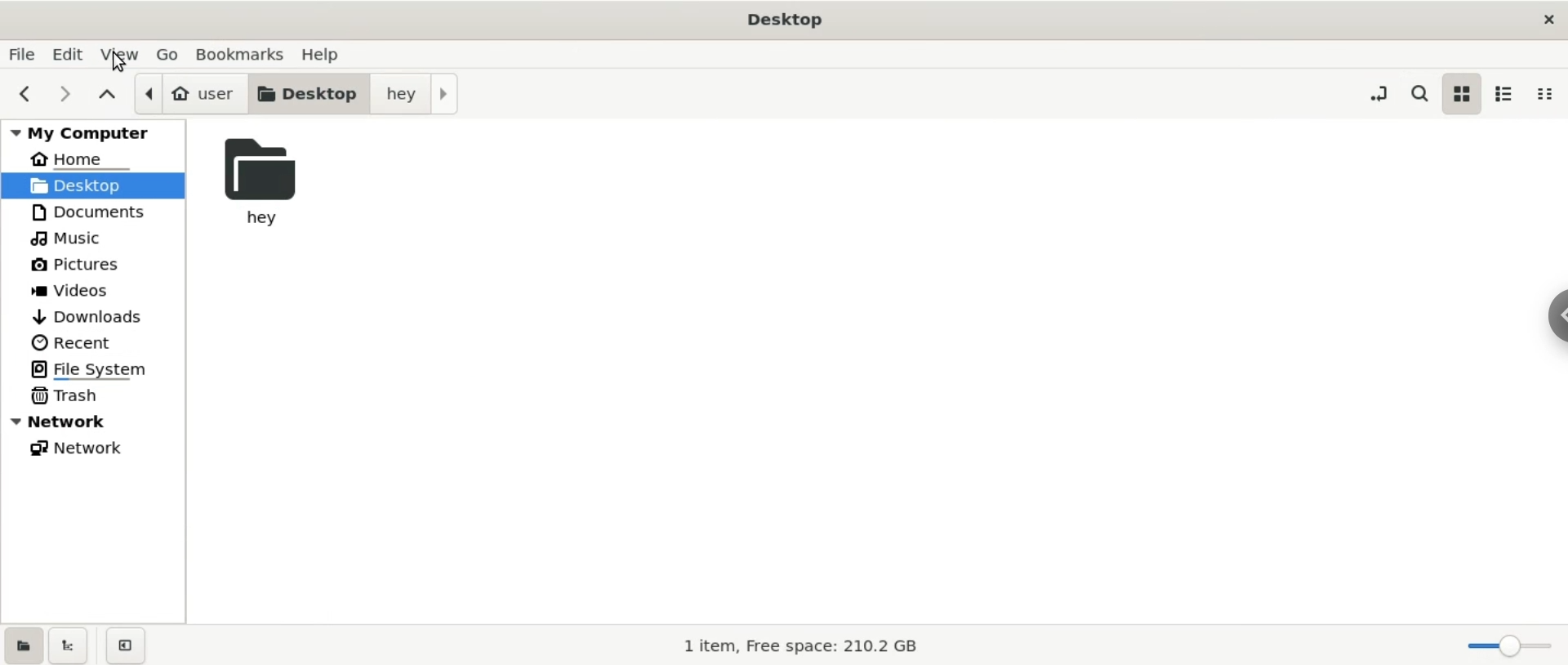 Image resolution: width=1568 pixels, height=665 pixels. Describe the element at coordinates (103, 316) in the screenshot. I see `downloads` at that location.